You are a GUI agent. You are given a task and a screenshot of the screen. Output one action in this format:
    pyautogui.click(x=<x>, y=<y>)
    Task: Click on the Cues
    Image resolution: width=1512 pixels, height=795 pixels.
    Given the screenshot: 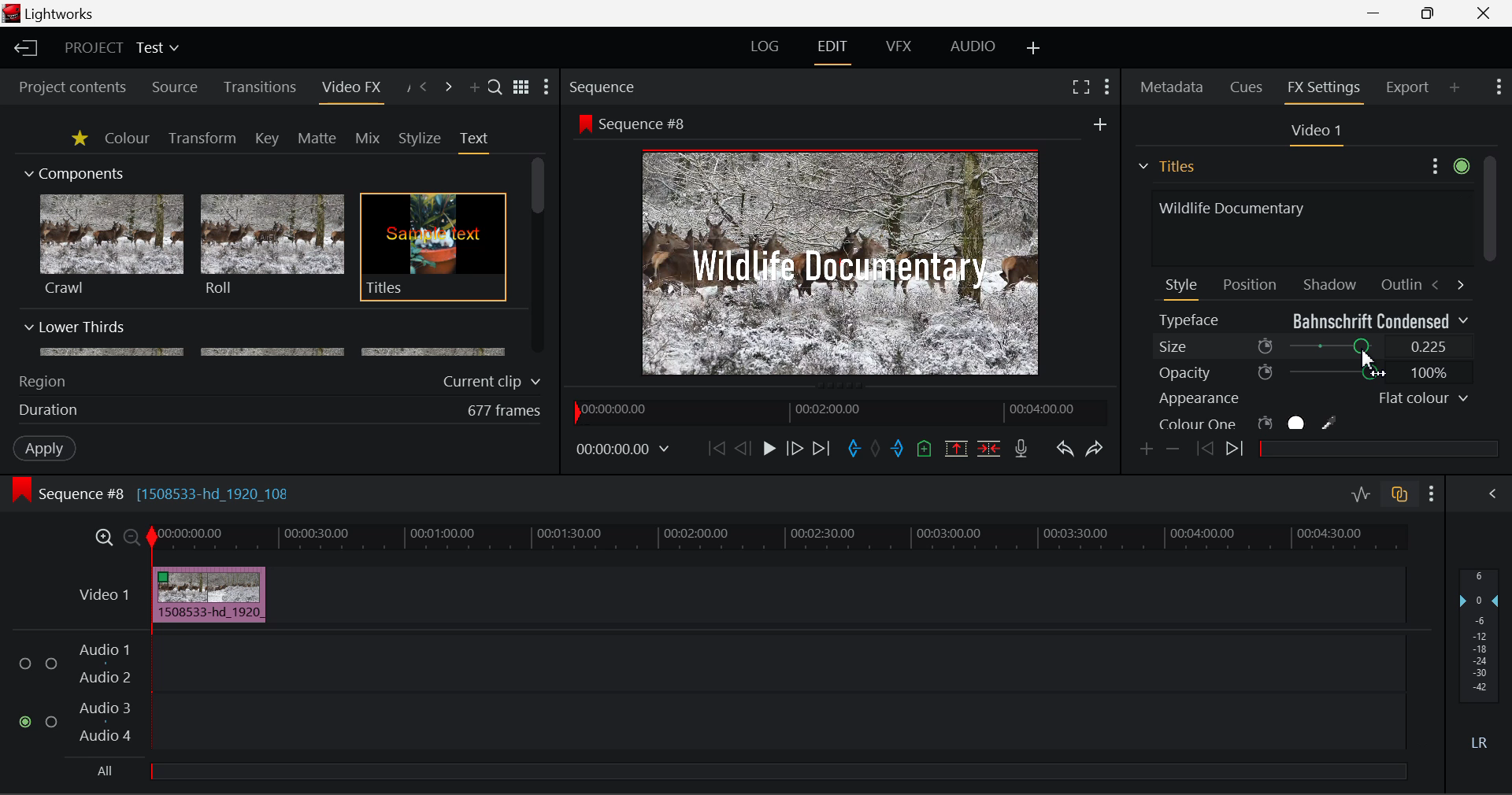 What is the action you would take?
    pyautogui.click(x=1248, y=87)
    